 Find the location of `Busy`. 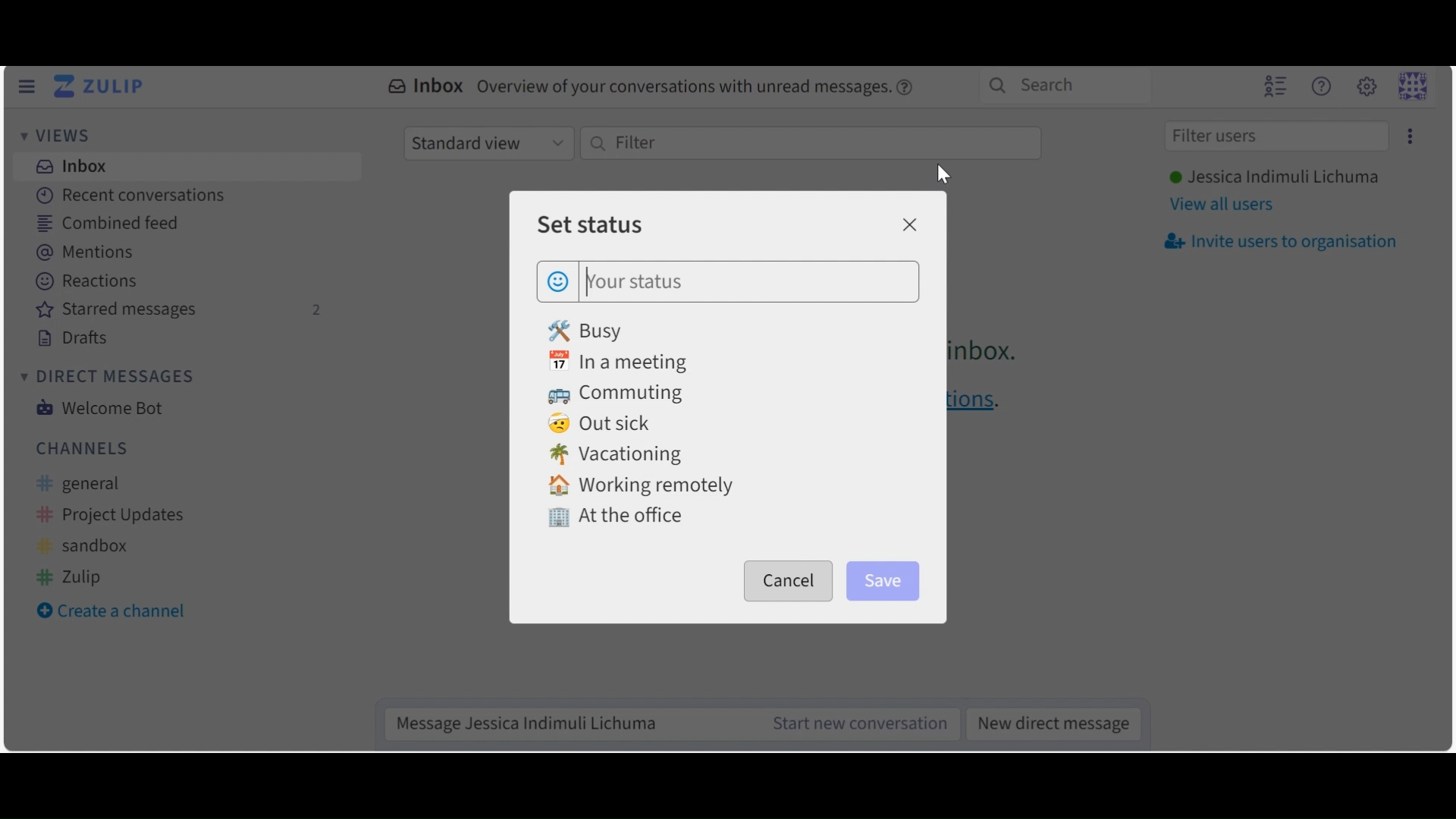

Busy is located at coordinates (588, 330).